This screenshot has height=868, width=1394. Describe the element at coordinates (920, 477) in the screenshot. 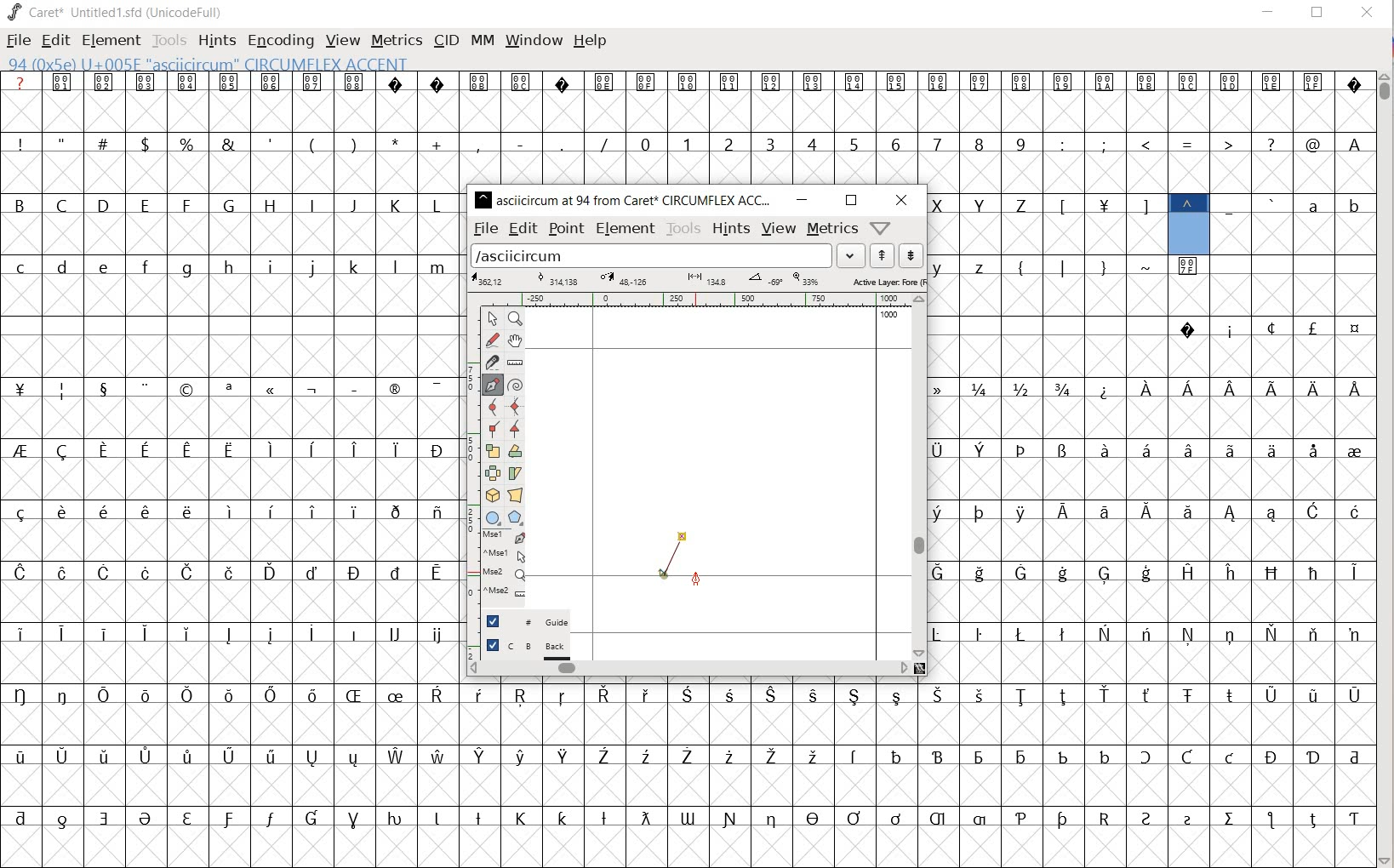

I see `scrollbar` at that location.